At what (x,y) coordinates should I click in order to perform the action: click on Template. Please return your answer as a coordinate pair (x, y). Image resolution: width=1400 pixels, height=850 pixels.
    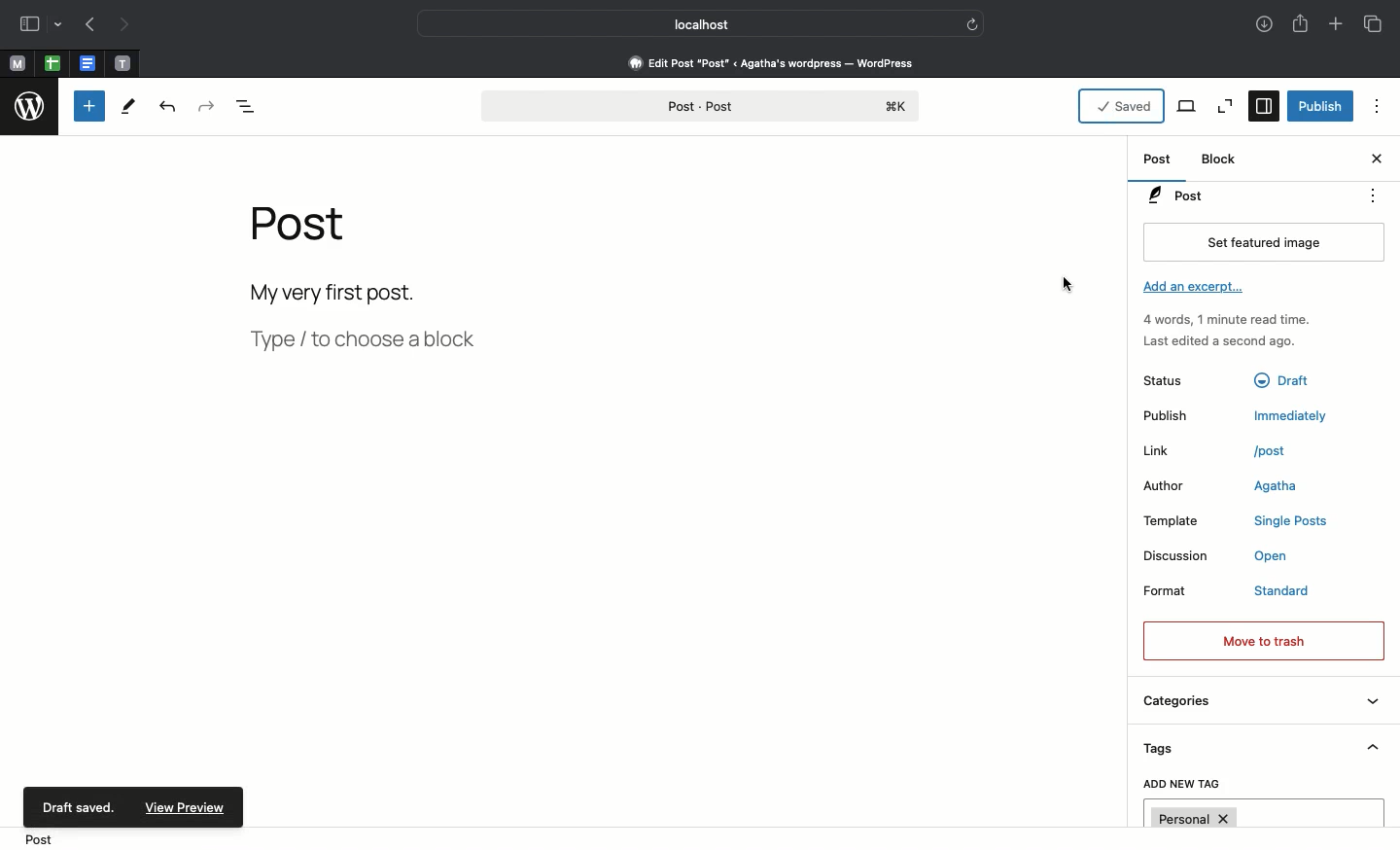
    Looking at the image, I should click on (1178, 519).